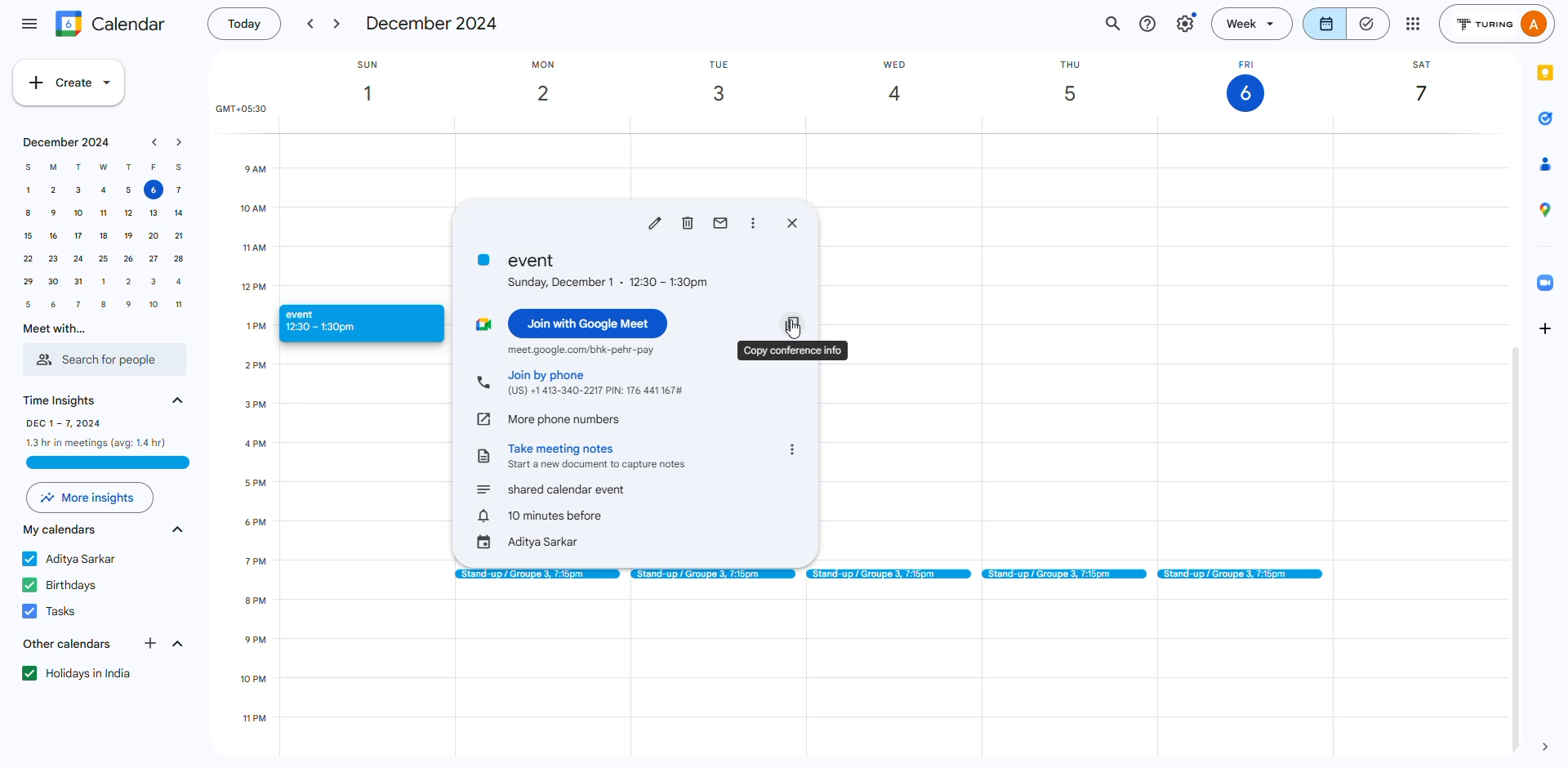 This screenshot has height=768, width=1568. I want to click on next page, so click(1550, 745).